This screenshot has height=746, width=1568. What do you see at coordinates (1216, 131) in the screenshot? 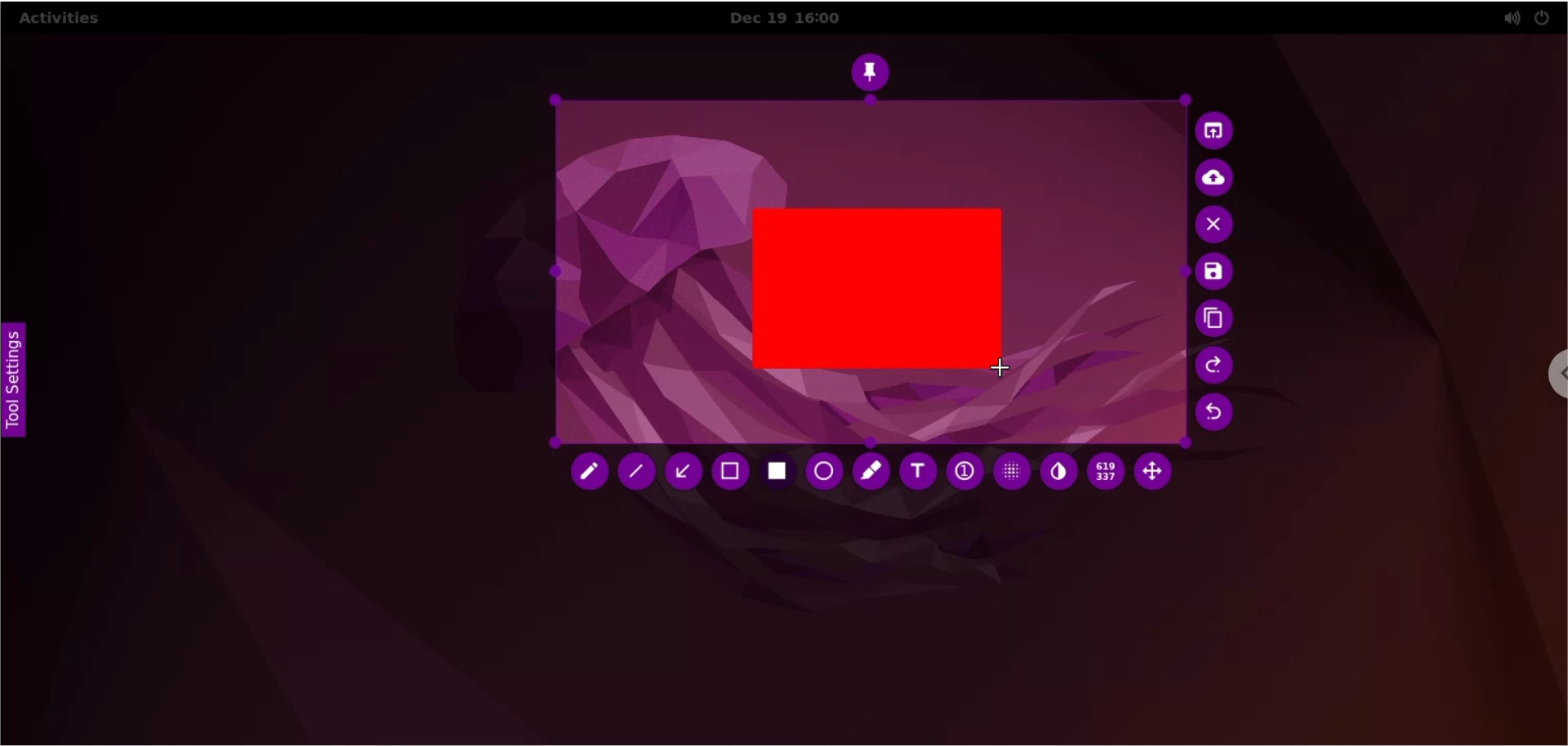
I see `choose app to open screenshot` at bounding box center [1216, 131].